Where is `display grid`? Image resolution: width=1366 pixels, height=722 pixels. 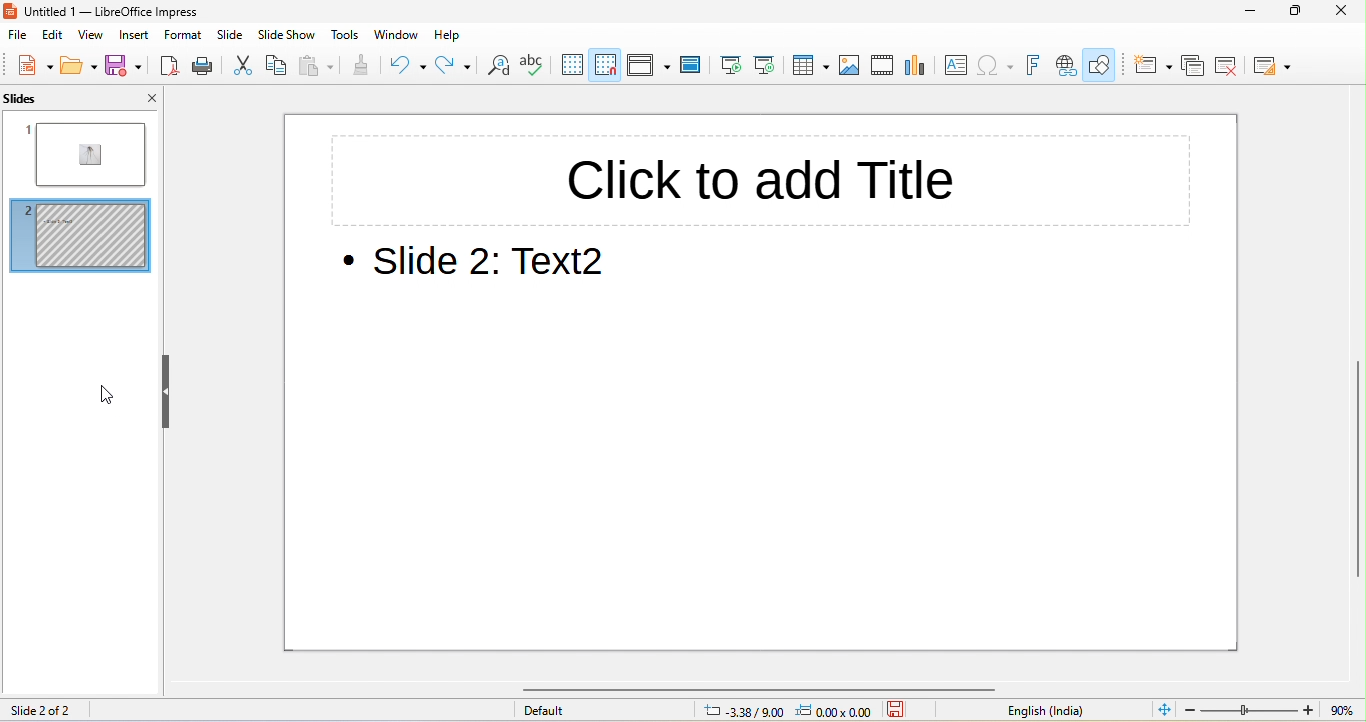 display grid is located at coordinates (576, 66).